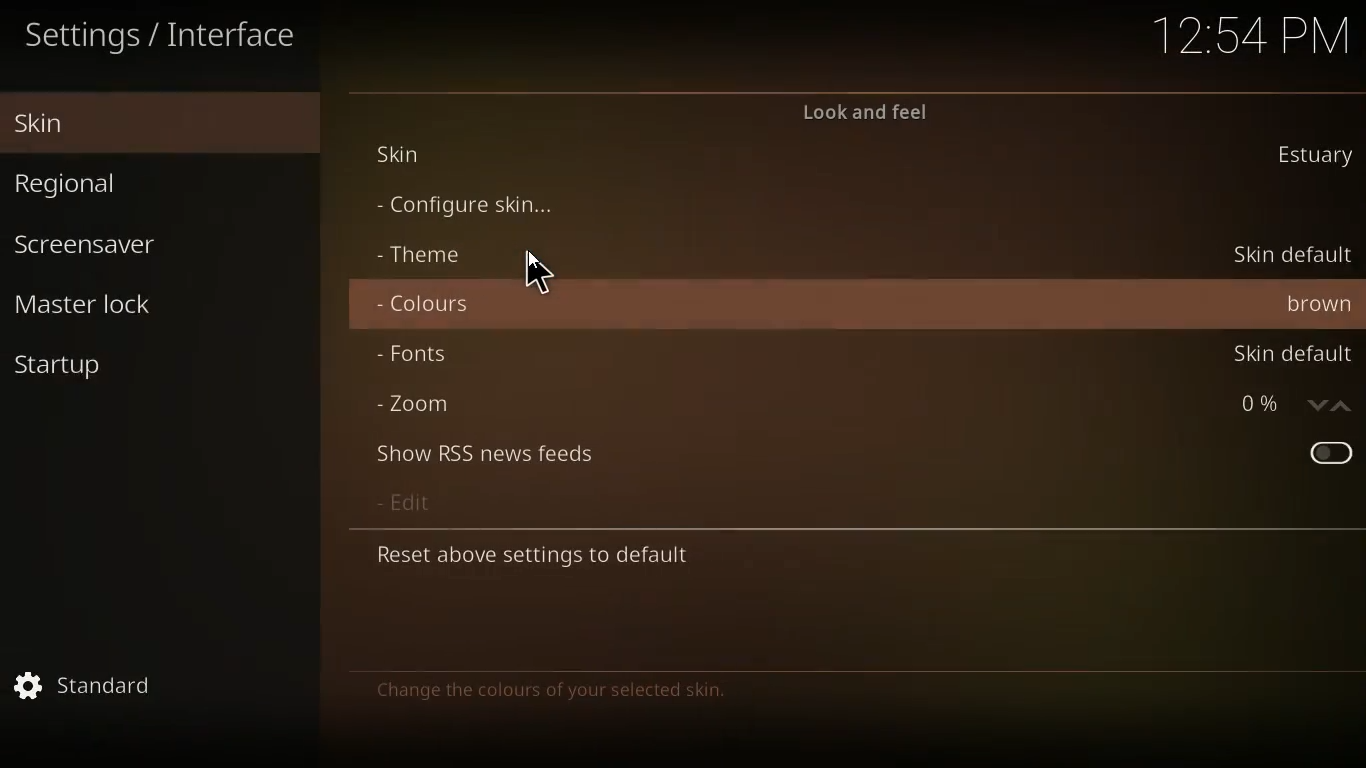 Image resolution: width=1366 pixels, height=768 pixels. Describe the element at coordinates (419, 253) in the screenshot. I see `- Theme` at that location.